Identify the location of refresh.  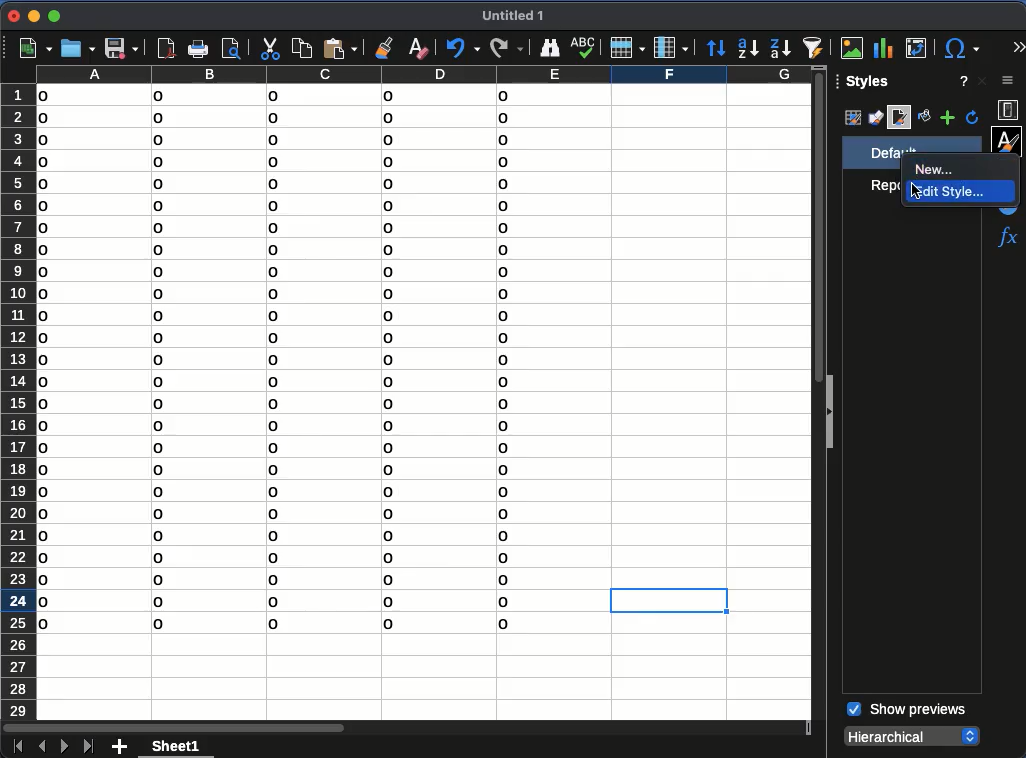
(973, 118).